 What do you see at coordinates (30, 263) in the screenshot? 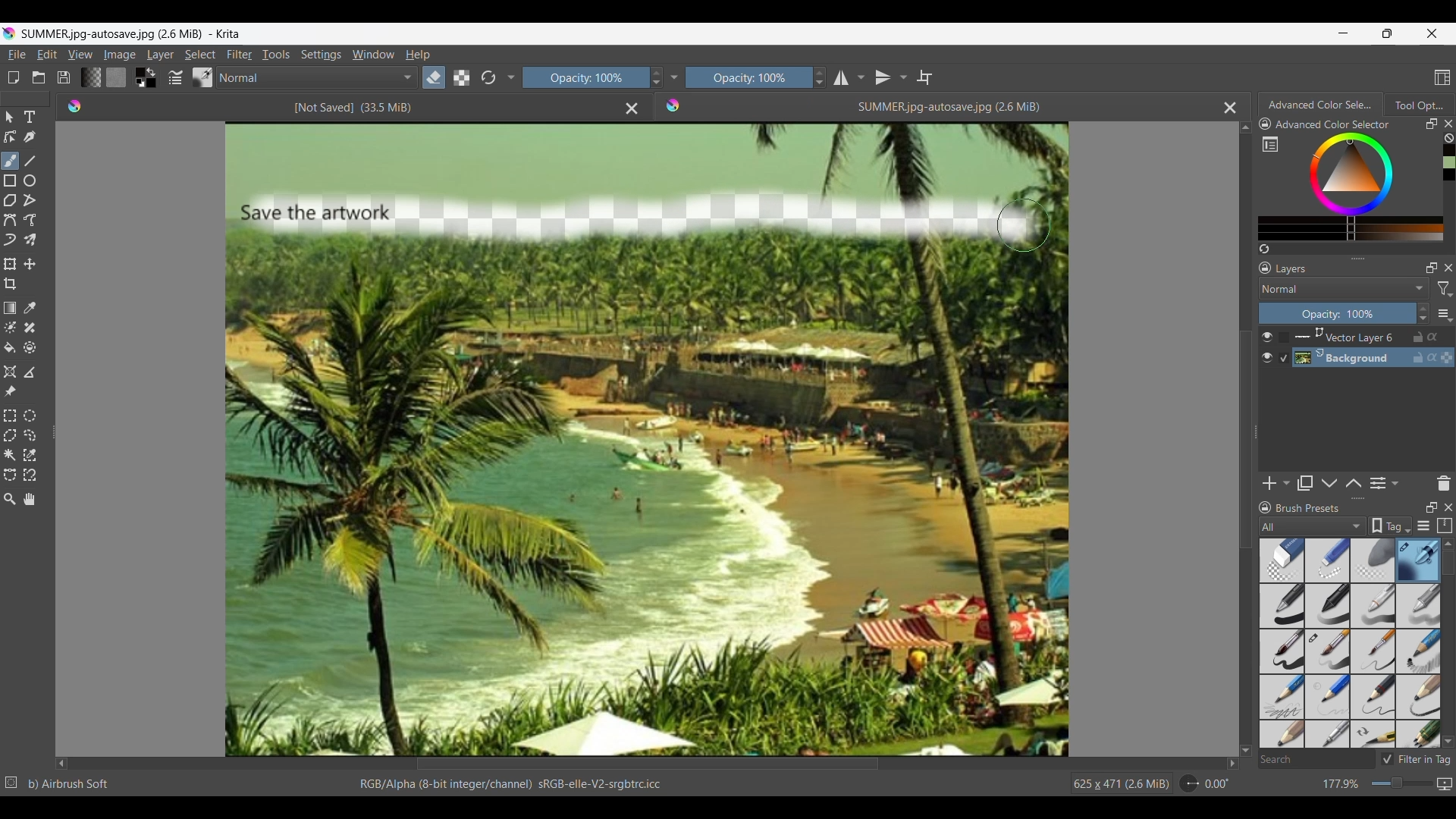
I see `Move a layer` at bounding box center [30, 263].